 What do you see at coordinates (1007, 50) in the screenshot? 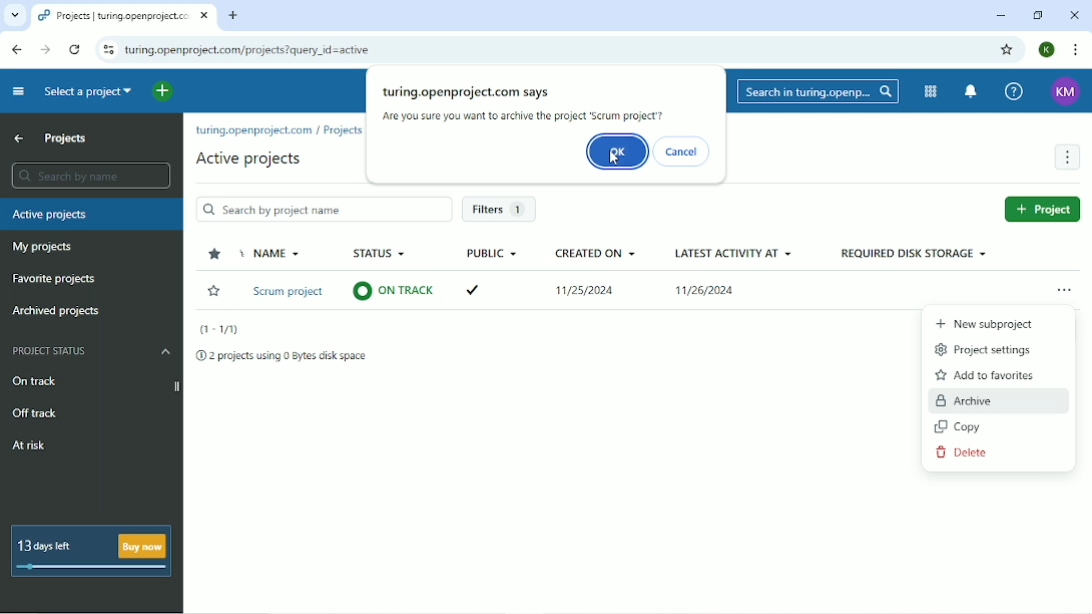
I see `Bookmark this tab` at bounding box center [1007, 50].